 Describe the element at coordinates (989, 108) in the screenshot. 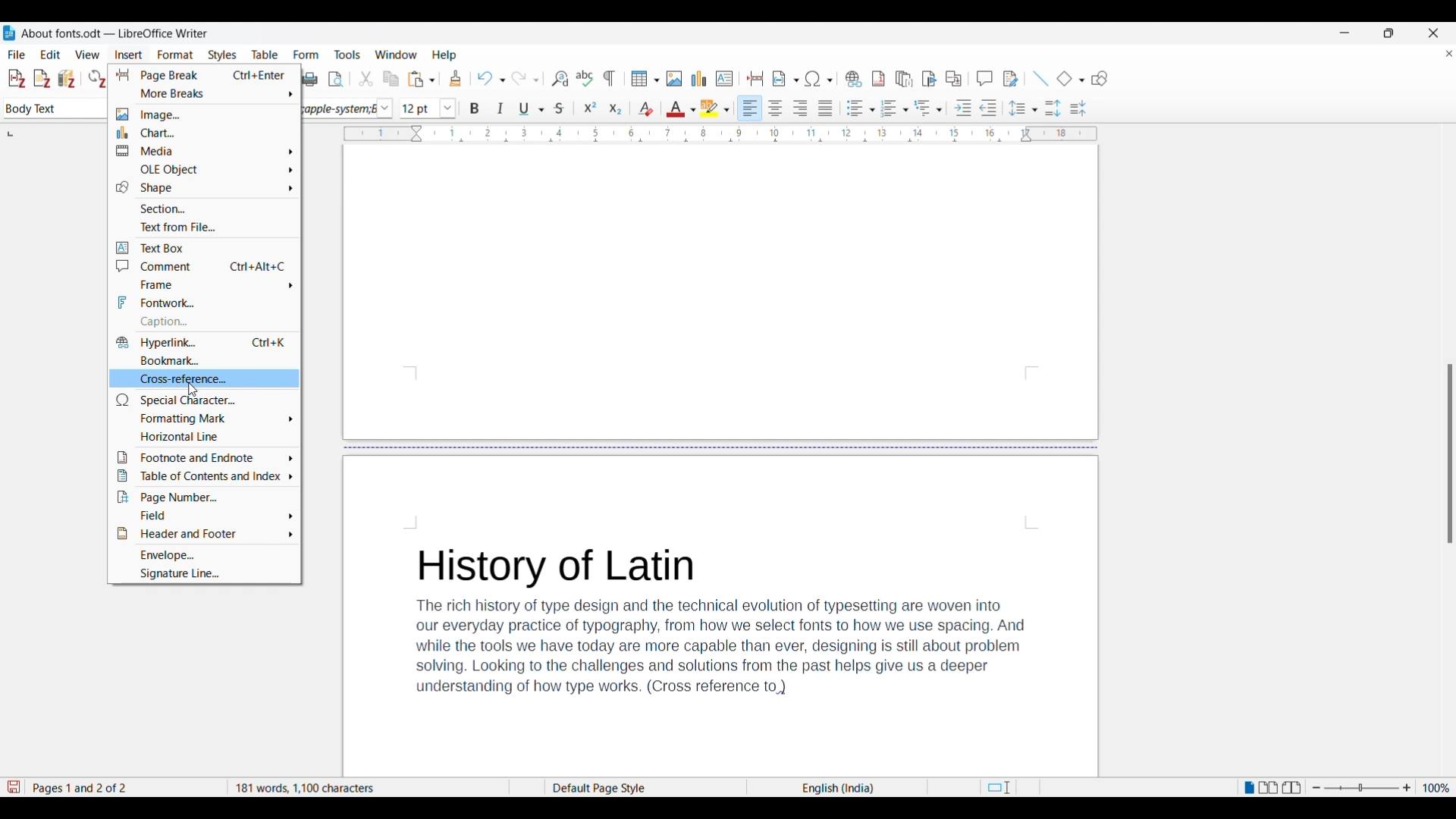

I see `Decrease indentation` at that location.